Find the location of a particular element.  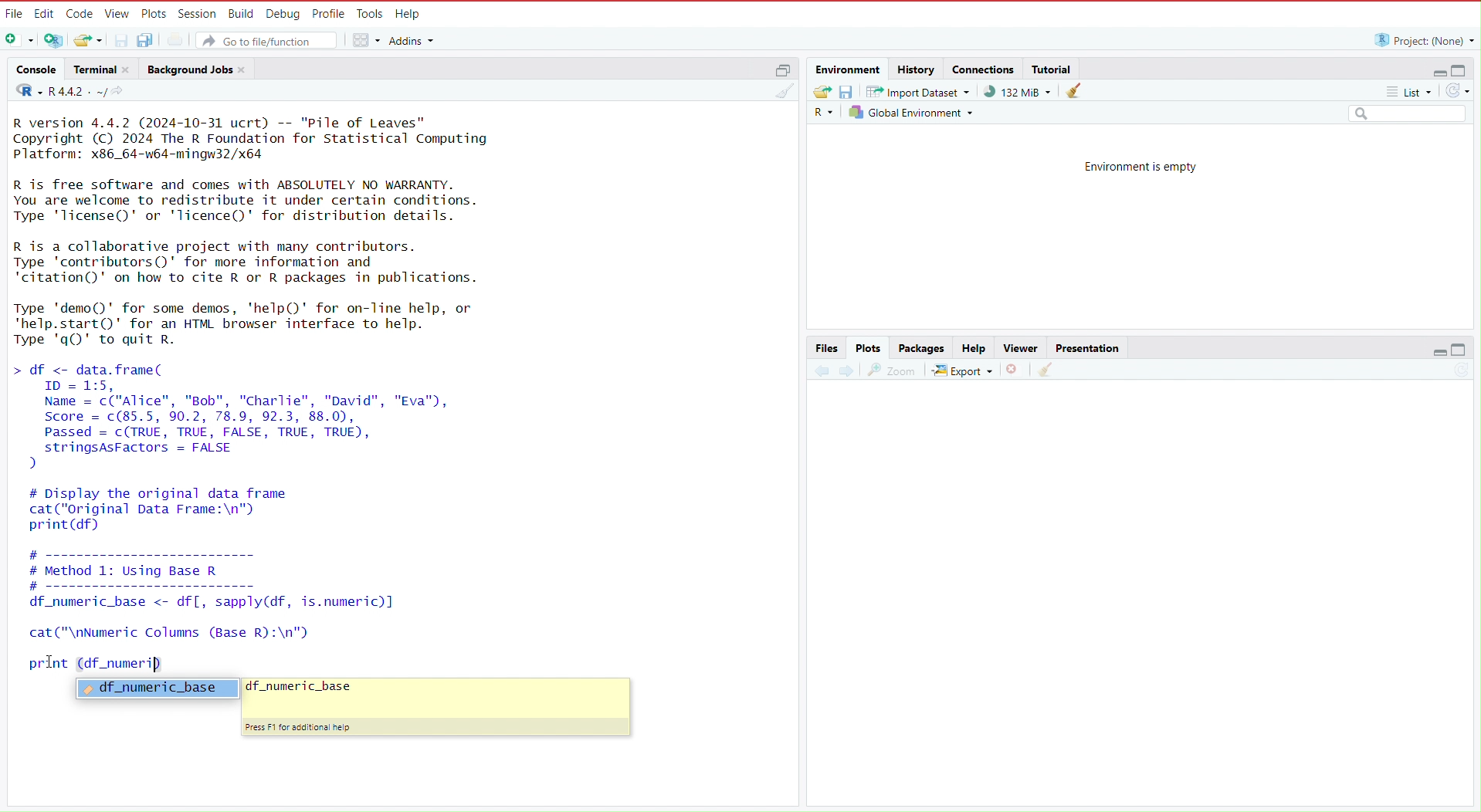

save all open documents is located at coordinates (147, 40).